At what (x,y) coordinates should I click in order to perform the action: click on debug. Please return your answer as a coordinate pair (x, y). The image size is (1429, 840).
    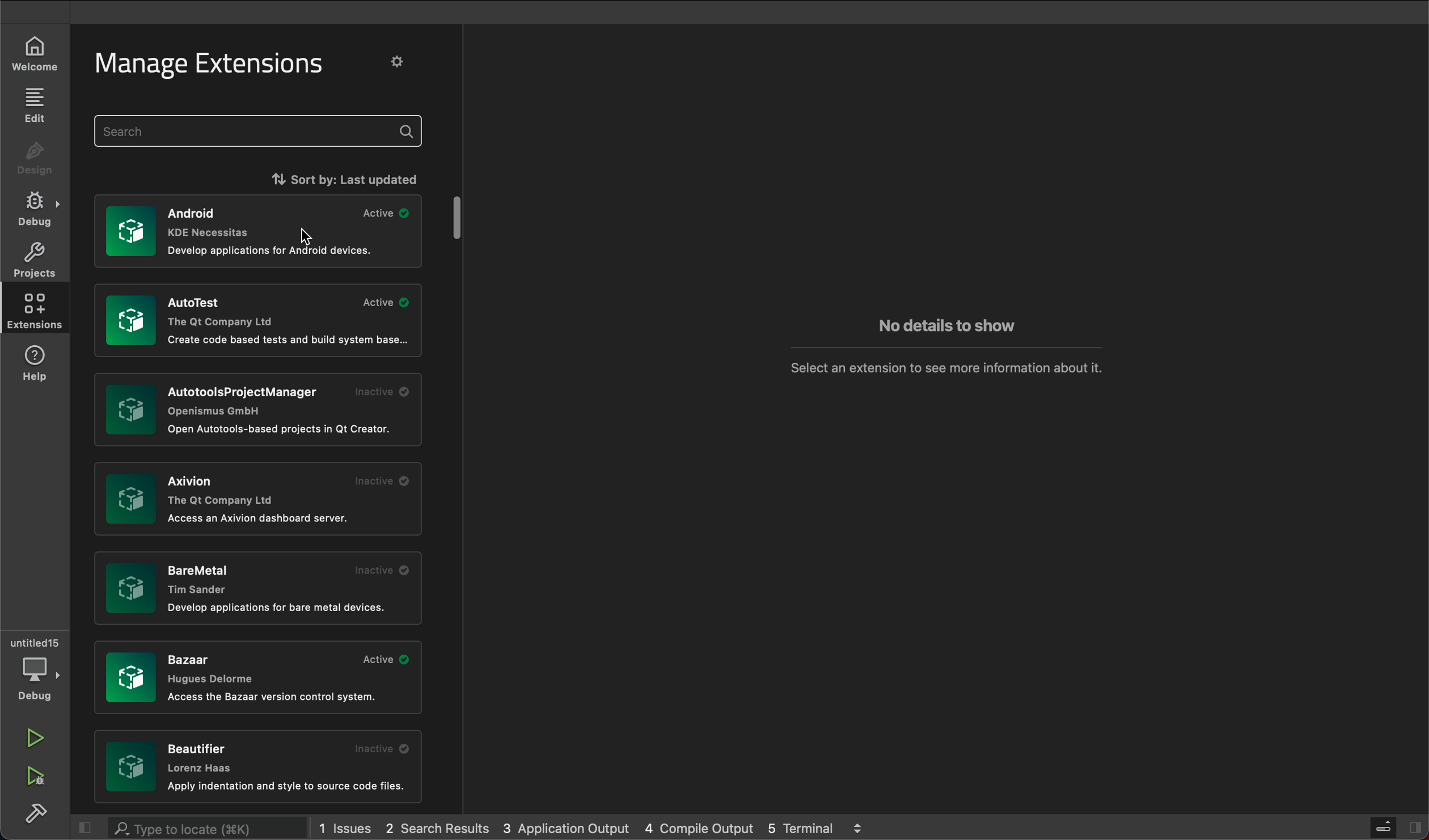
    Looking at the image, I should click on (32, 208).